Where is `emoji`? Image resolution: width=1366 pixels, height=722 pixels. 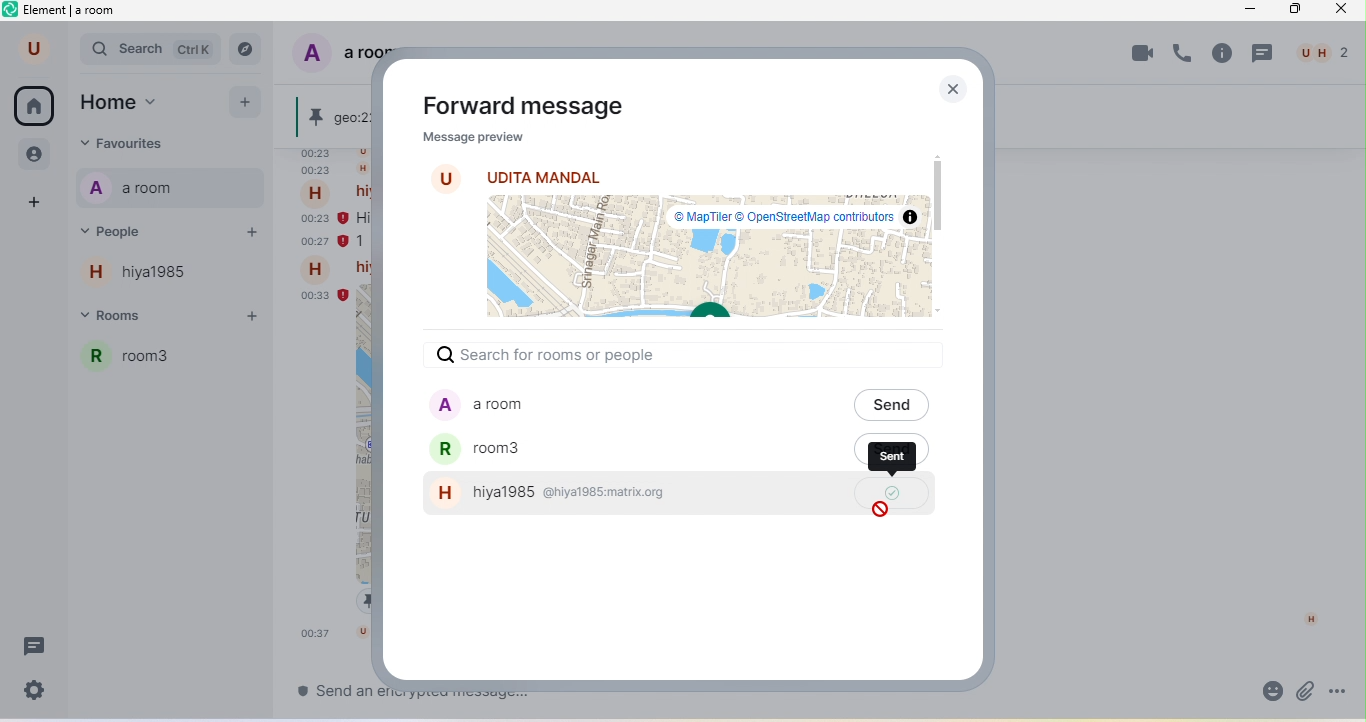
emoji is located at coordinates (1267, 692).